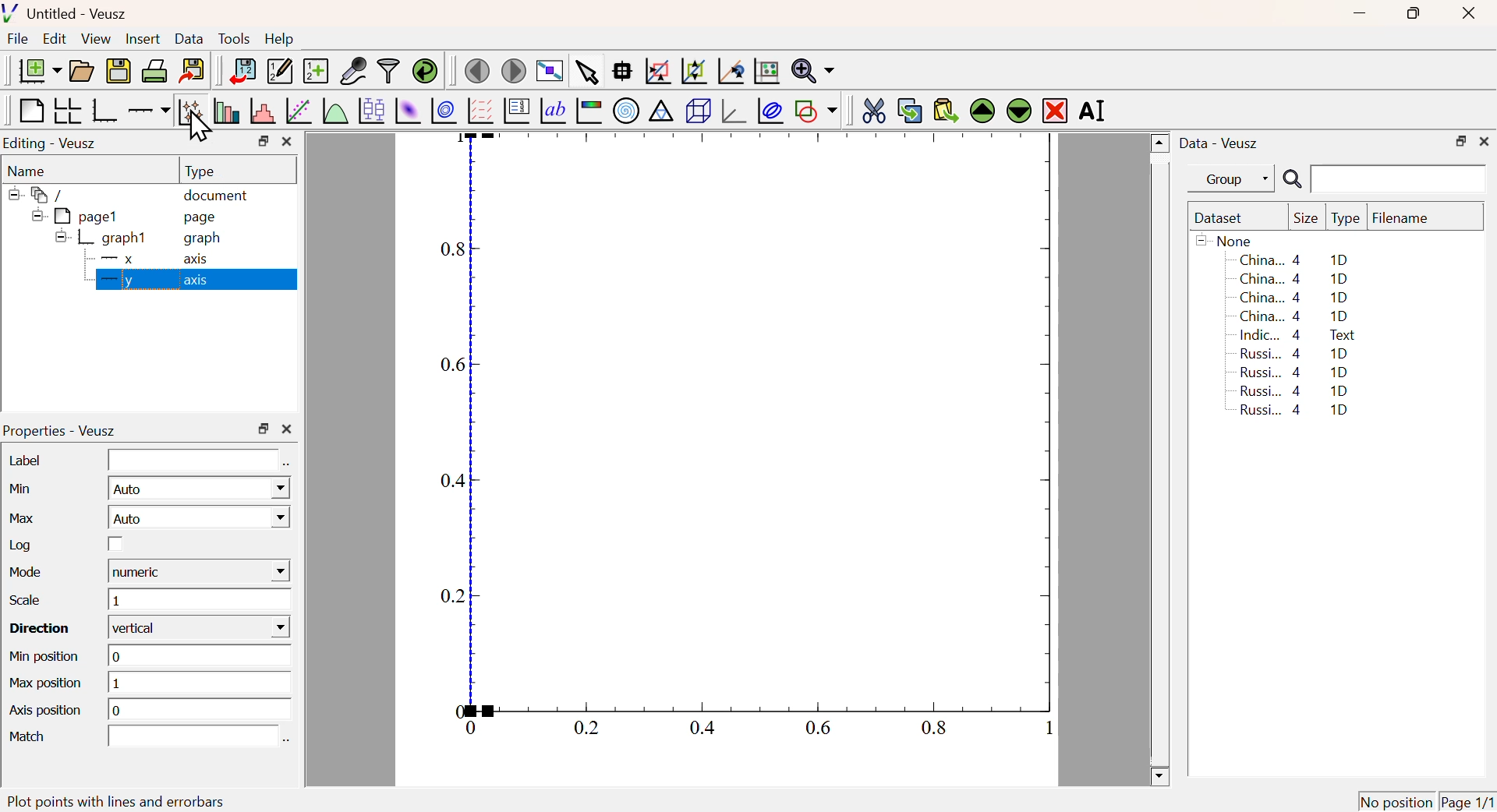  What do you see at coordinates (1222, 219) in the screenshot?
I see `Dataset` at bounding box center [1222, 219].